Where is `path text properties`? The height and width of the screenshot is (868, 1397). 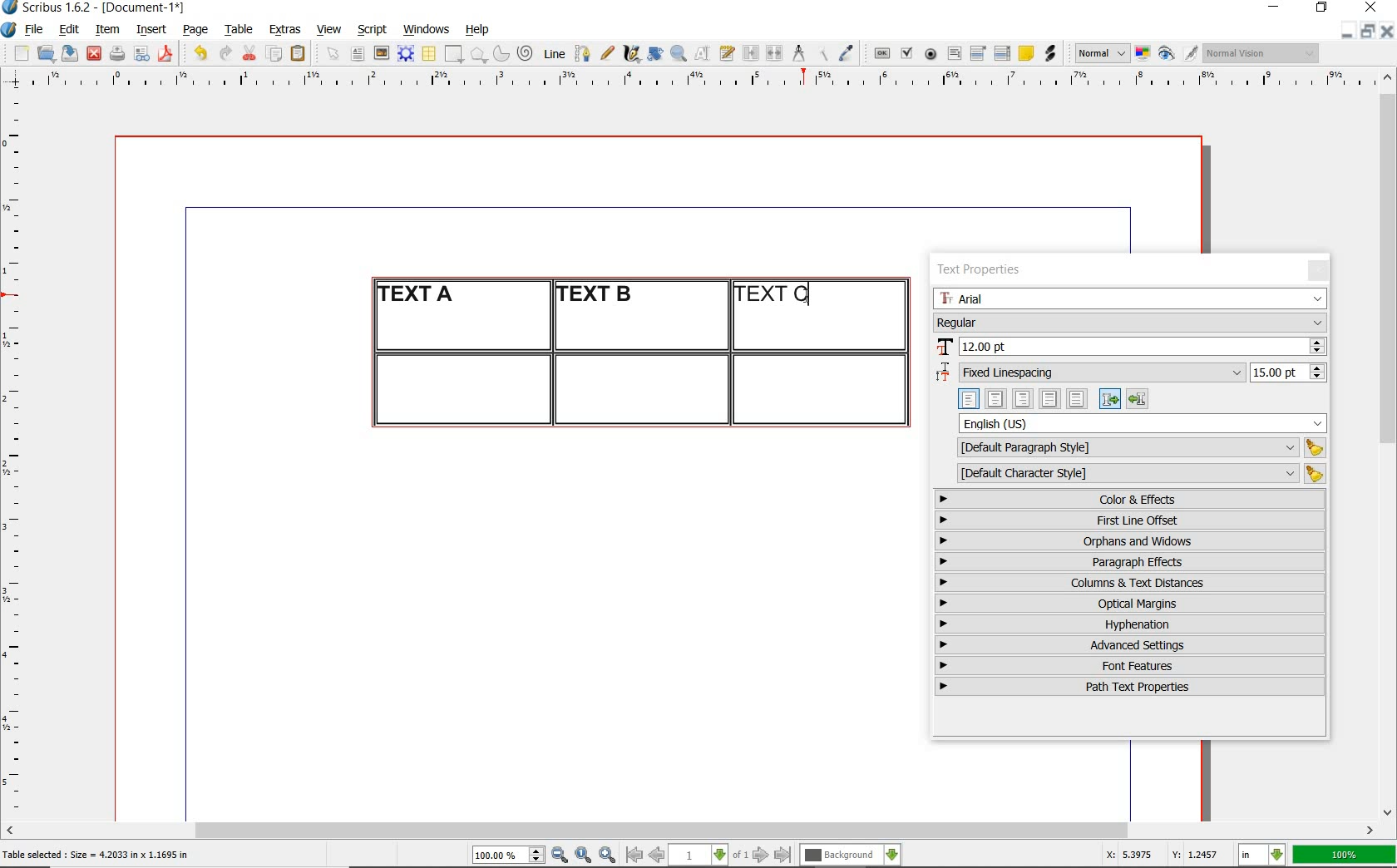 path text properties is located at coordinates (1128, 687).